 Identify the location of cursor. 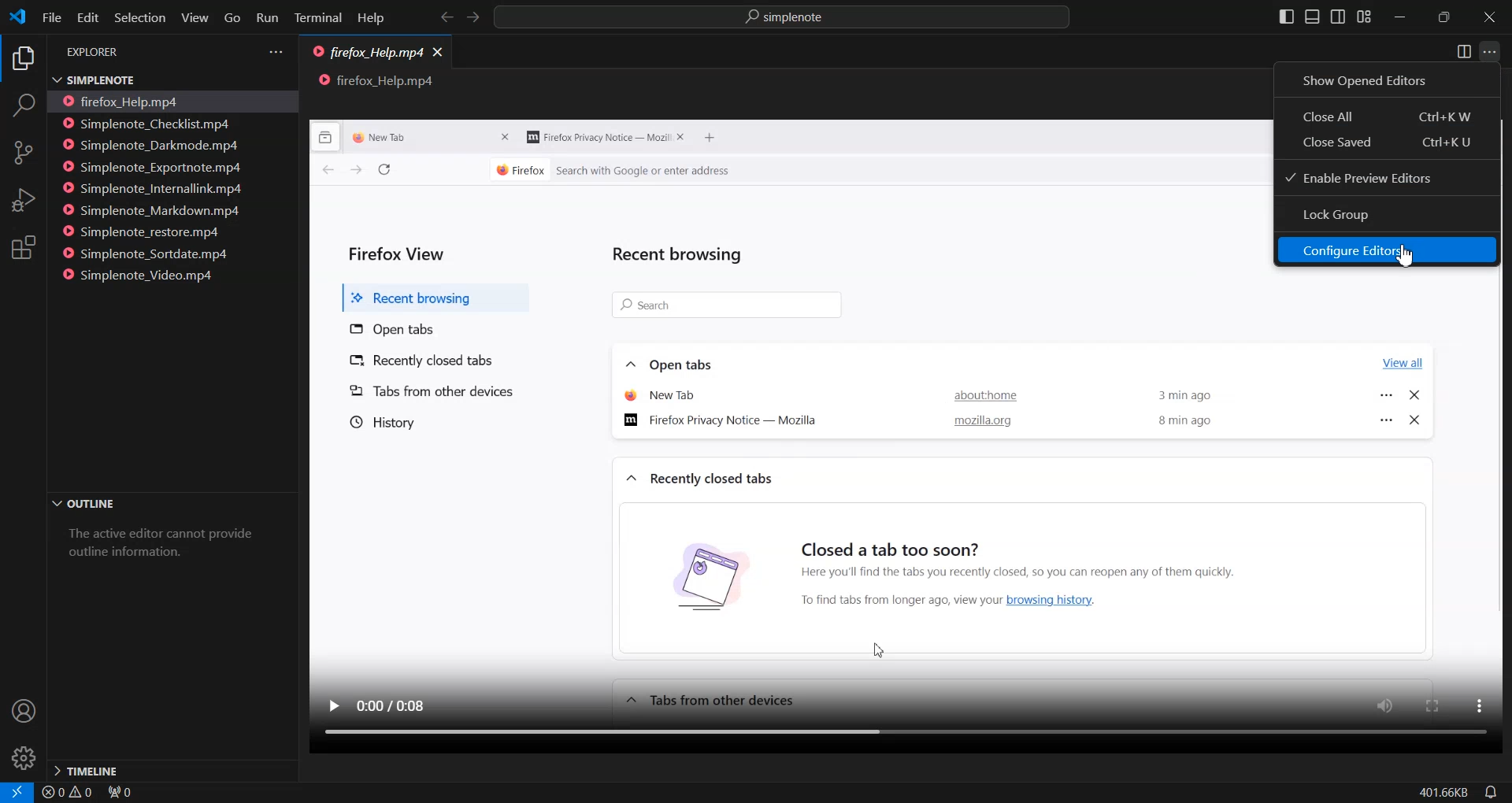
(877, 645).